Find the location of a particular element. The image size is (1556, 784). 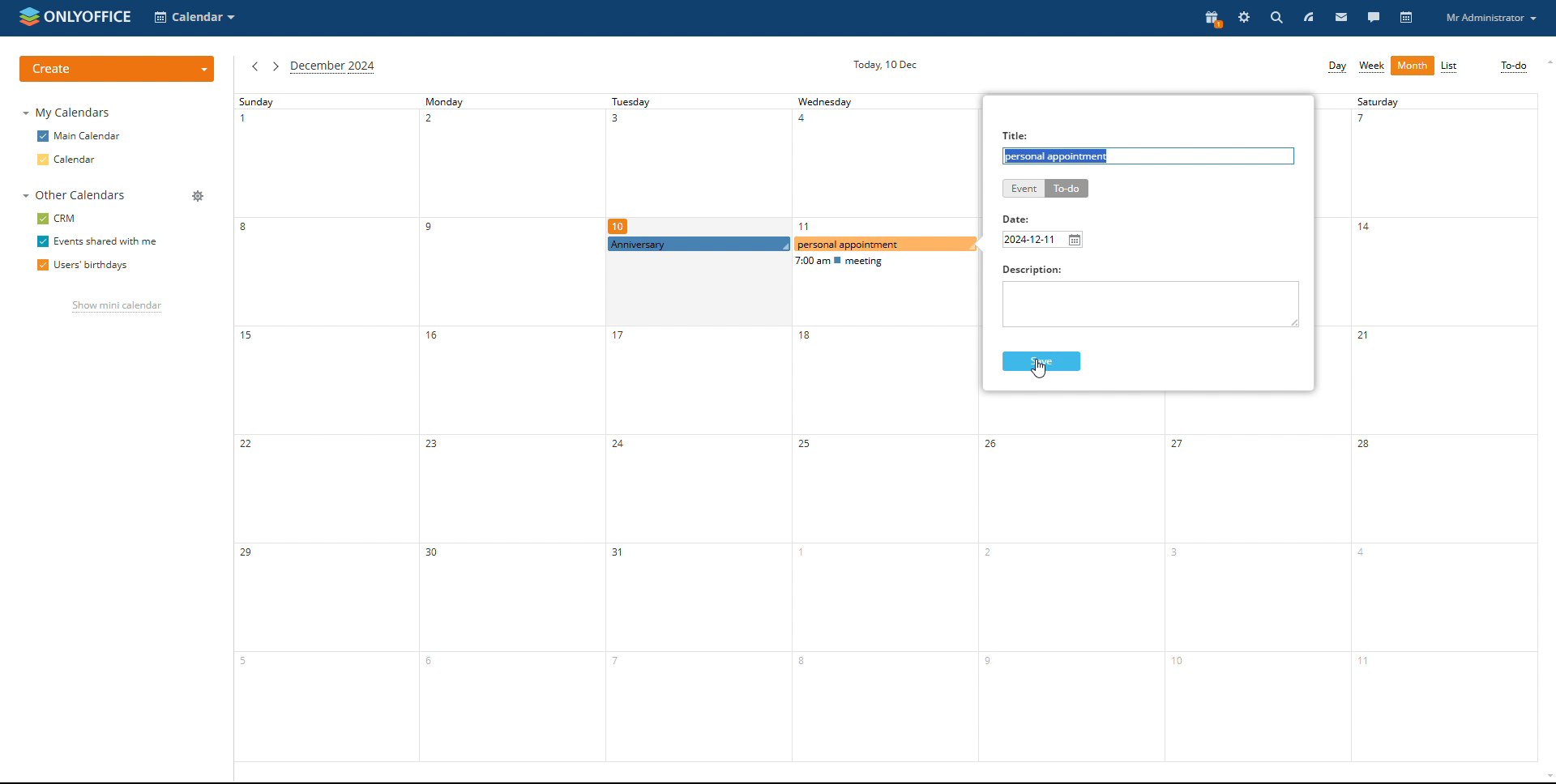

save is located at coordinates (1041, 361).